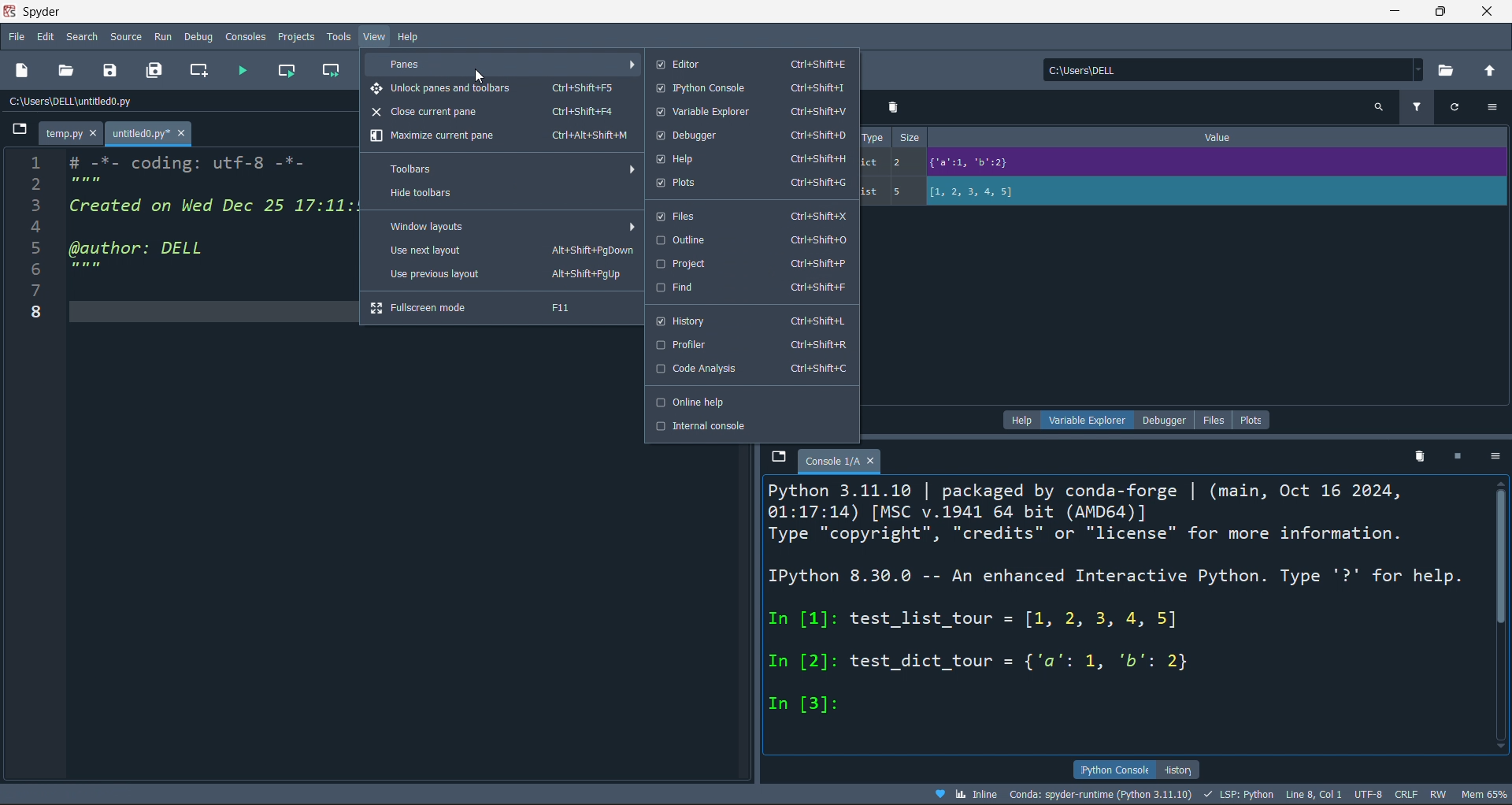  I want to click on unlock panes and toolbars, so click(496, 90).